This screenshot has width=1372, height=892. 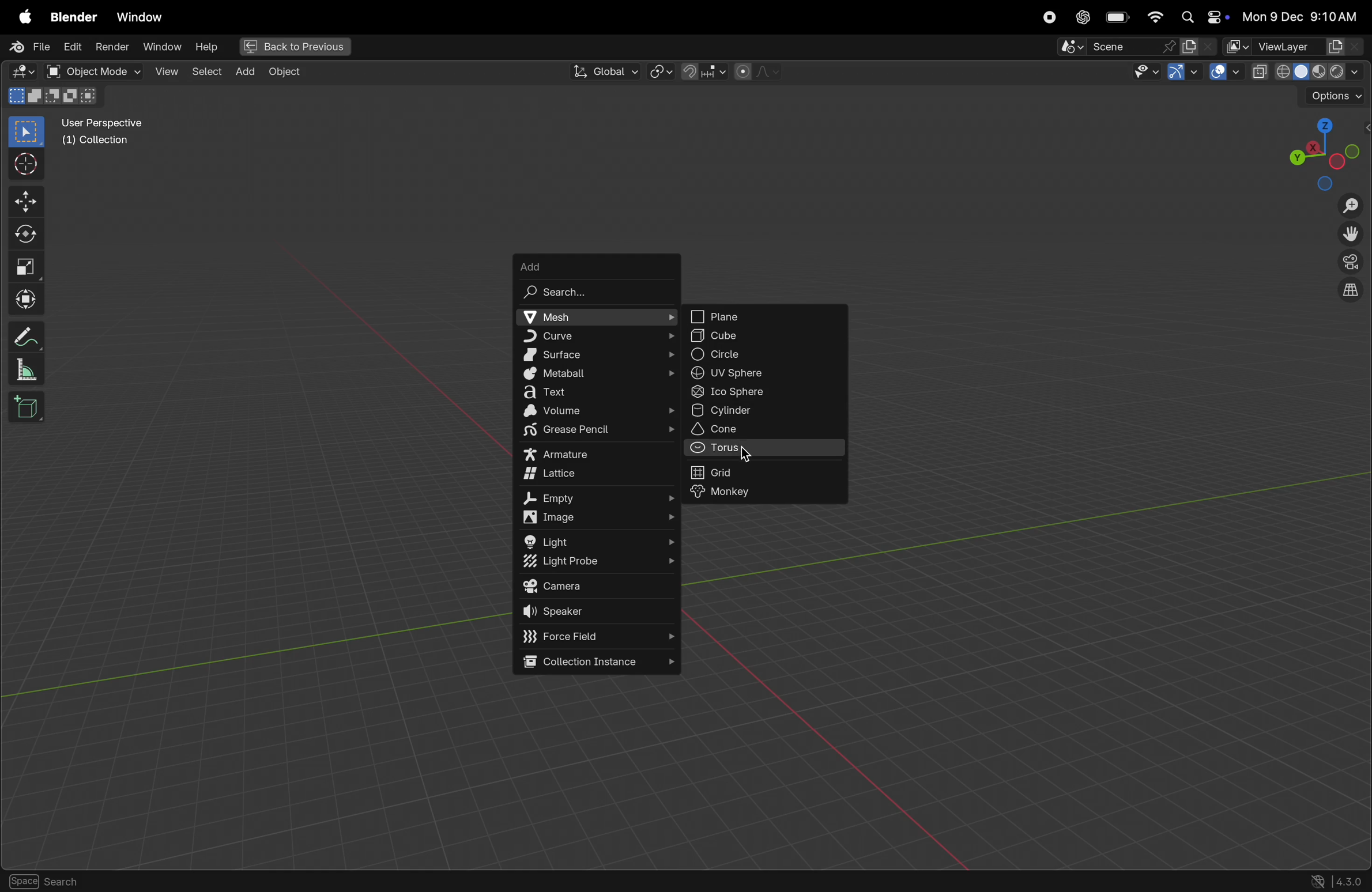 I want to click on grease pencil, so click(x=599, y=432).